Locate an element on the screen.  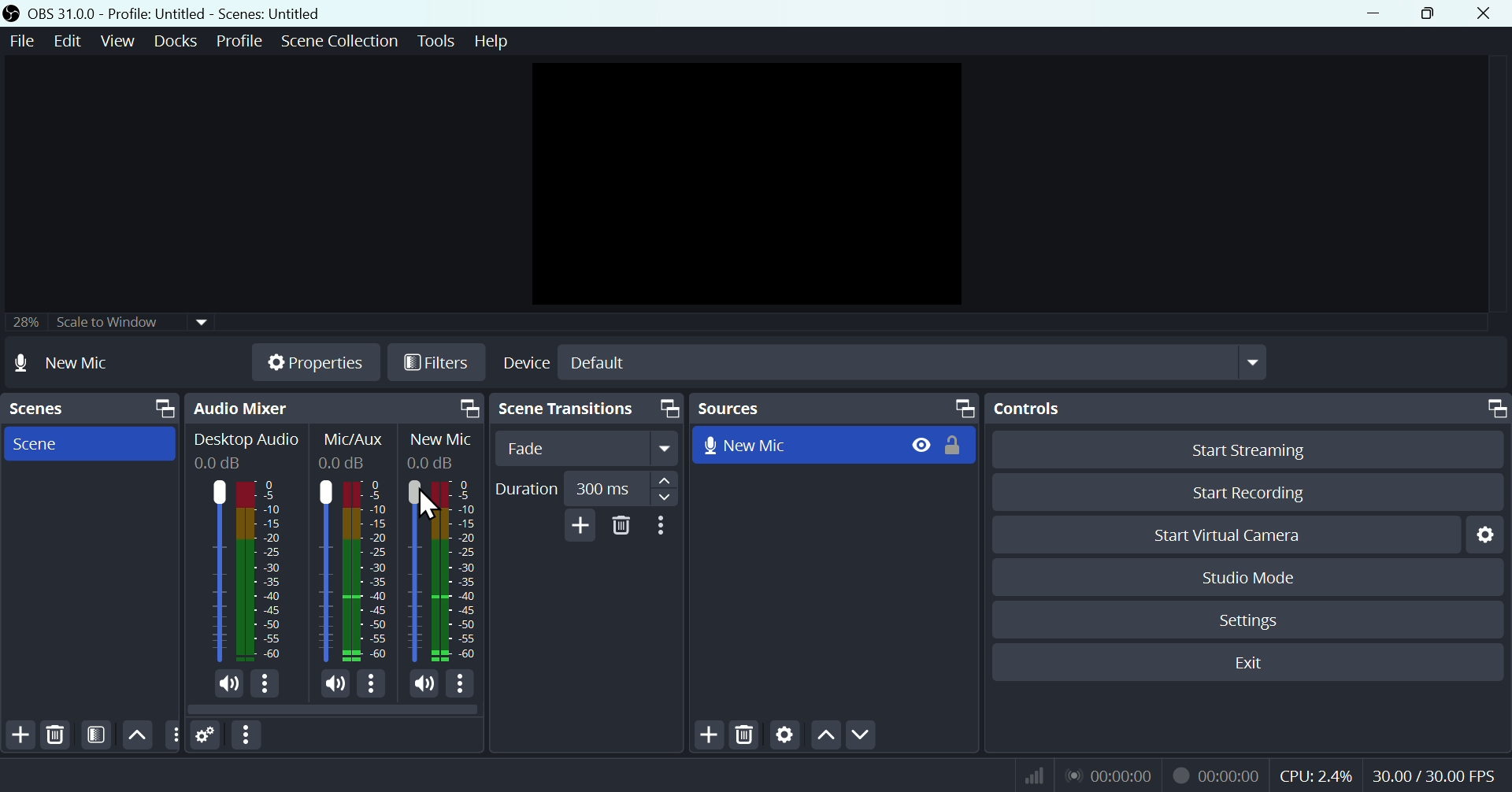
Bitrate is located at coordinates (1032, 774).